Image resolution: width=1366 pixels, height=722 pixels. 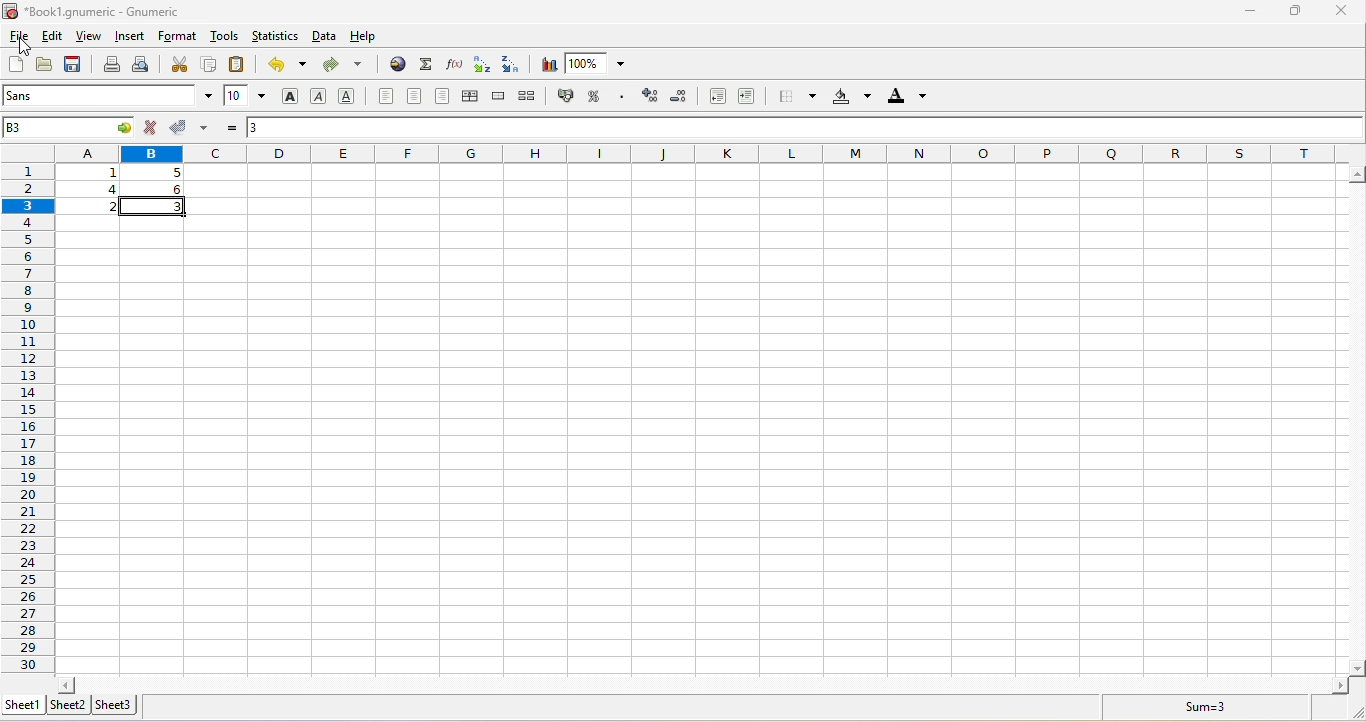 What do you see at coordinates (73, 65) in the screenshot?
I see `save` at bounding box center [73, 65].